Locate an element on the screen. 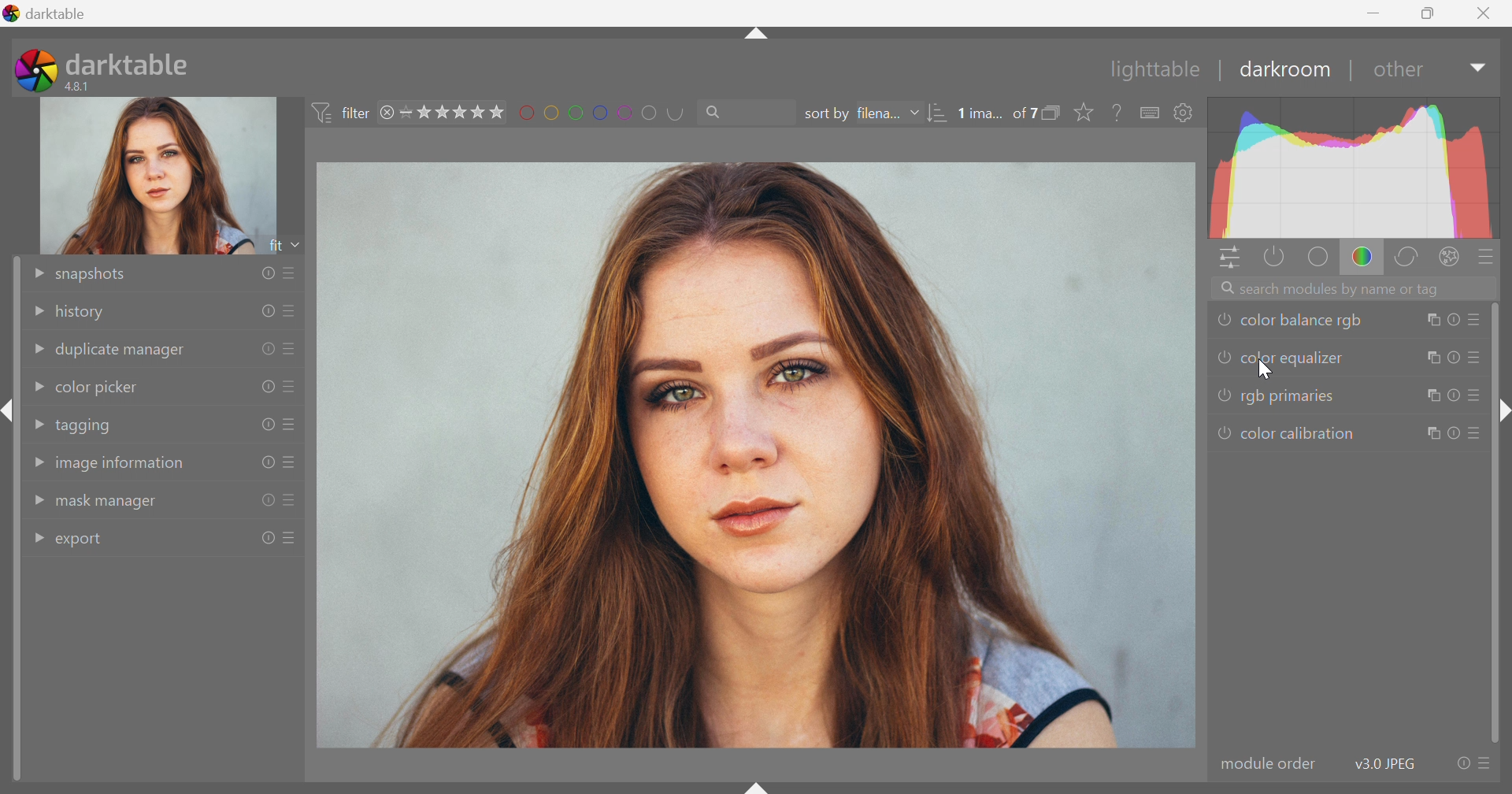 The image size is (1512, 794). Drop Down is located at coordinates (37, 501).